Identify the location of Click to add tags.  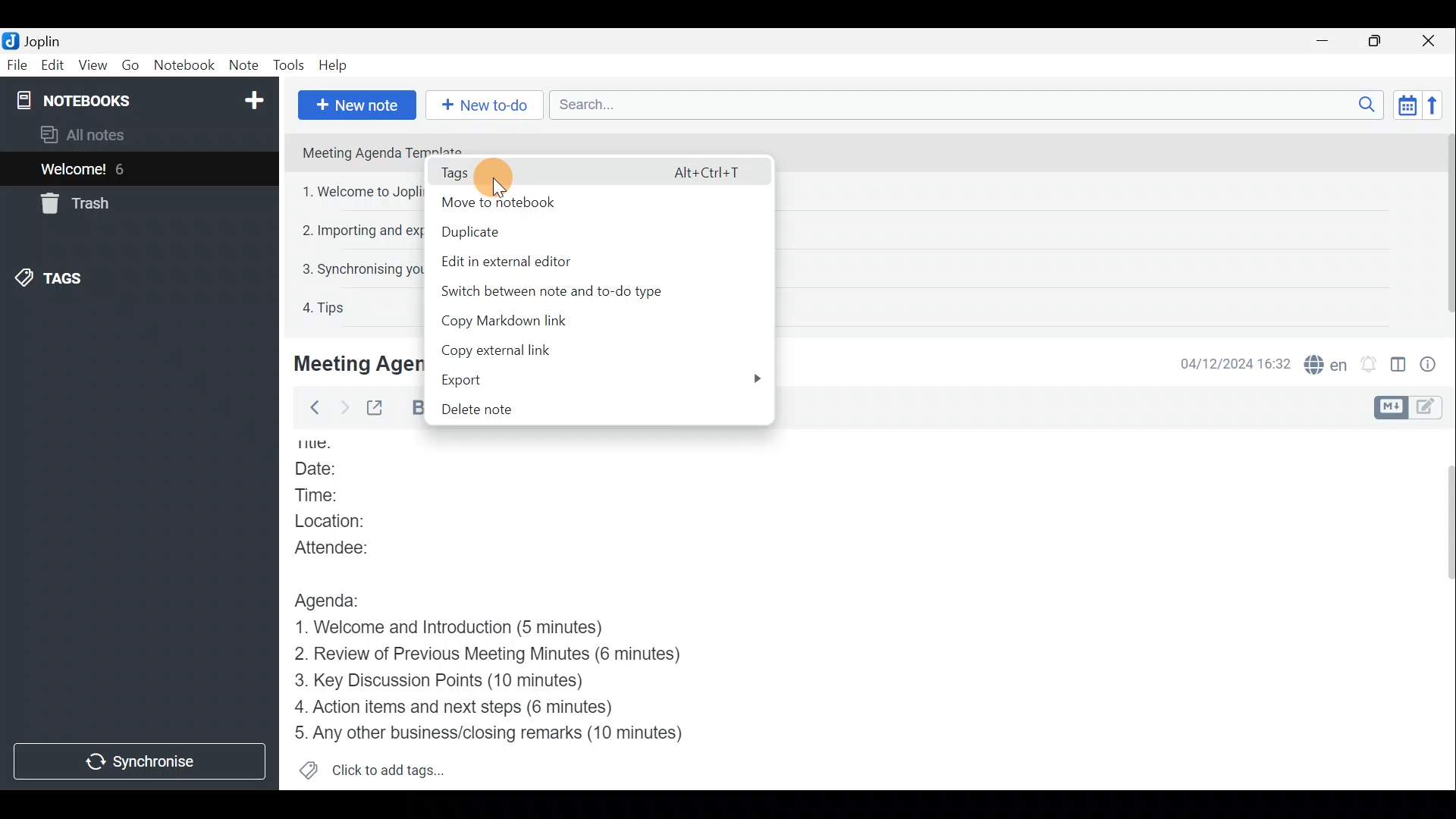
(393, 767).